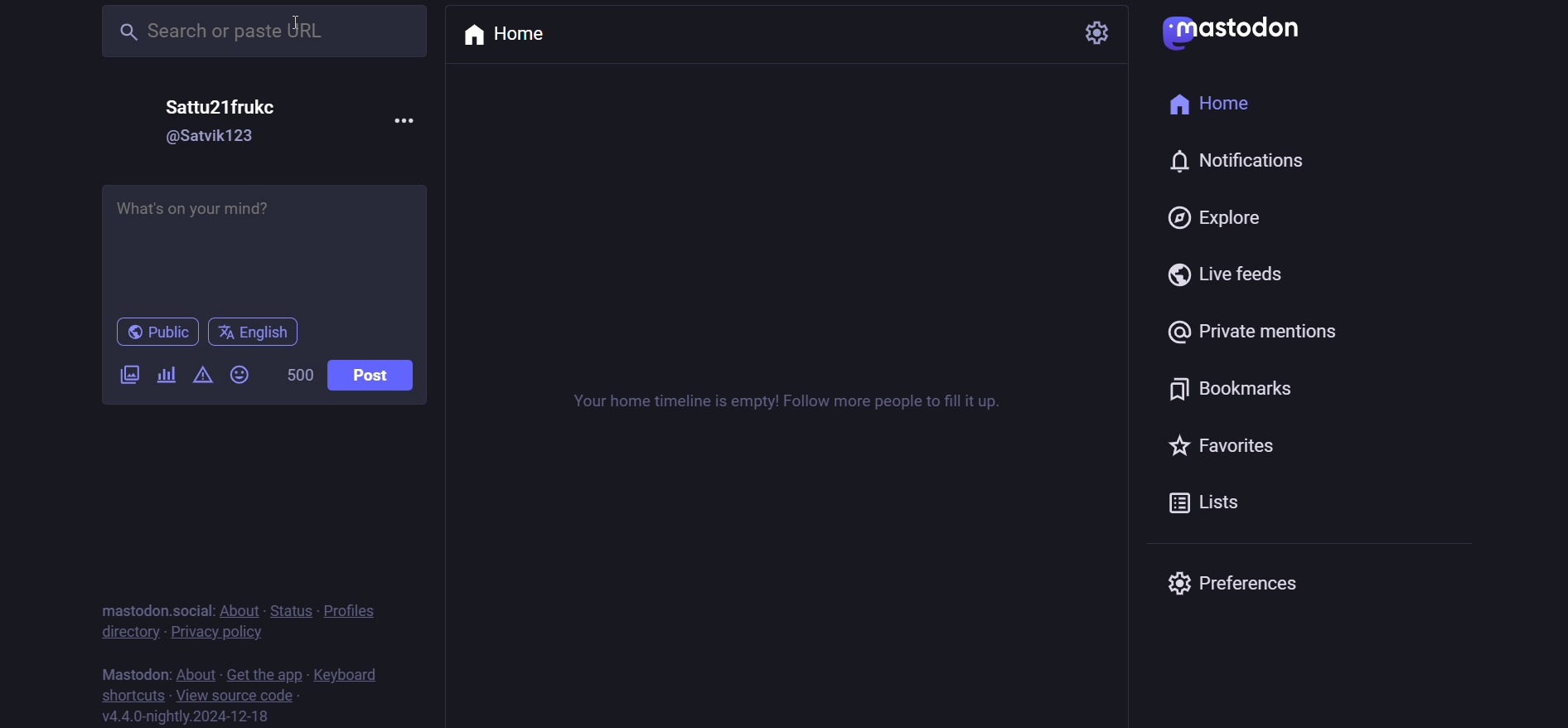 Image resolution: width=1568 pixels, height=728 pixels. Describe the element at coordinates (1237, 33) in the screenshot. I see `logo` at that location.